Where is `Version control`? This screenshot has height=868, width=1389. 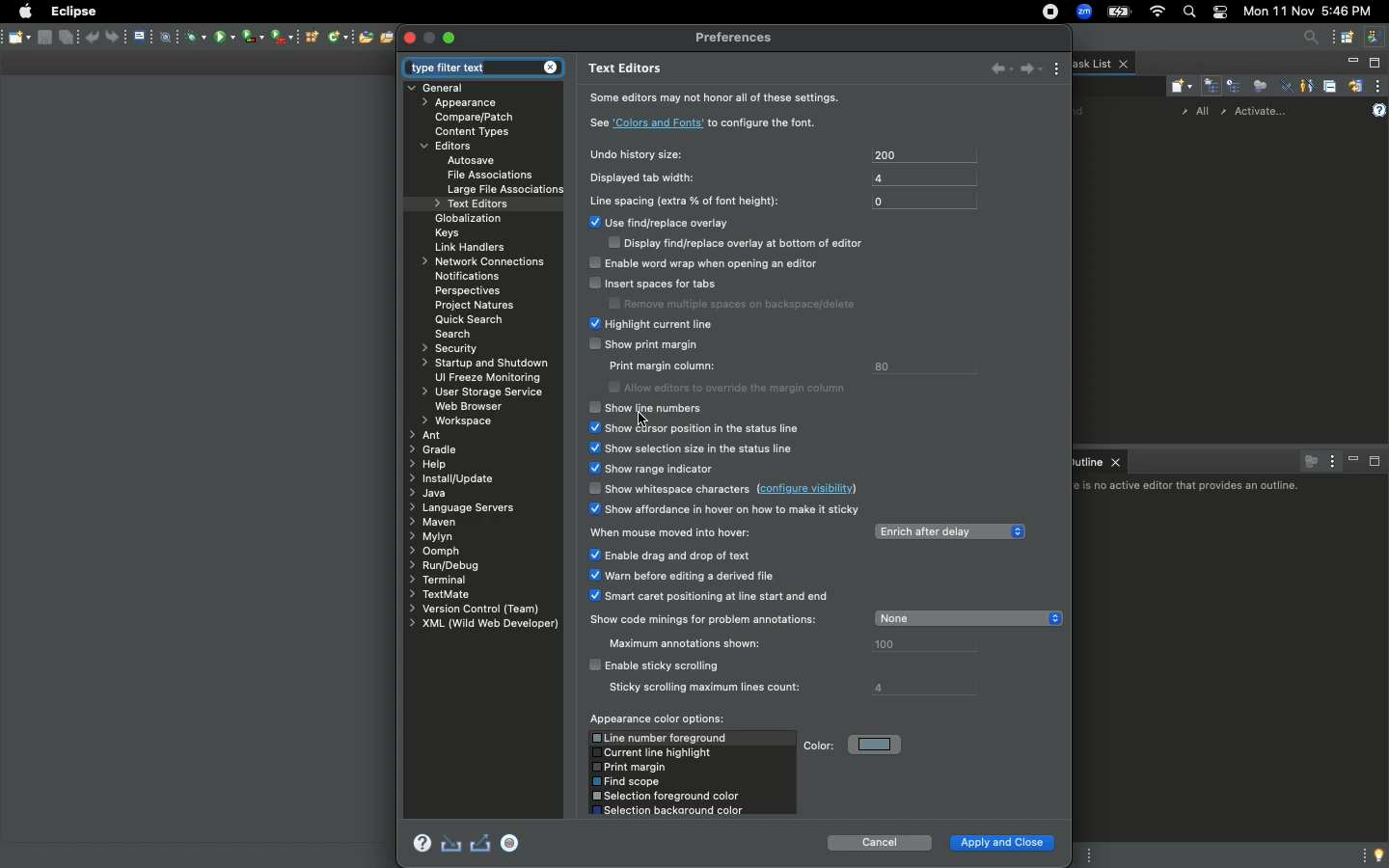 Version control is located at coordinates (475, 609).